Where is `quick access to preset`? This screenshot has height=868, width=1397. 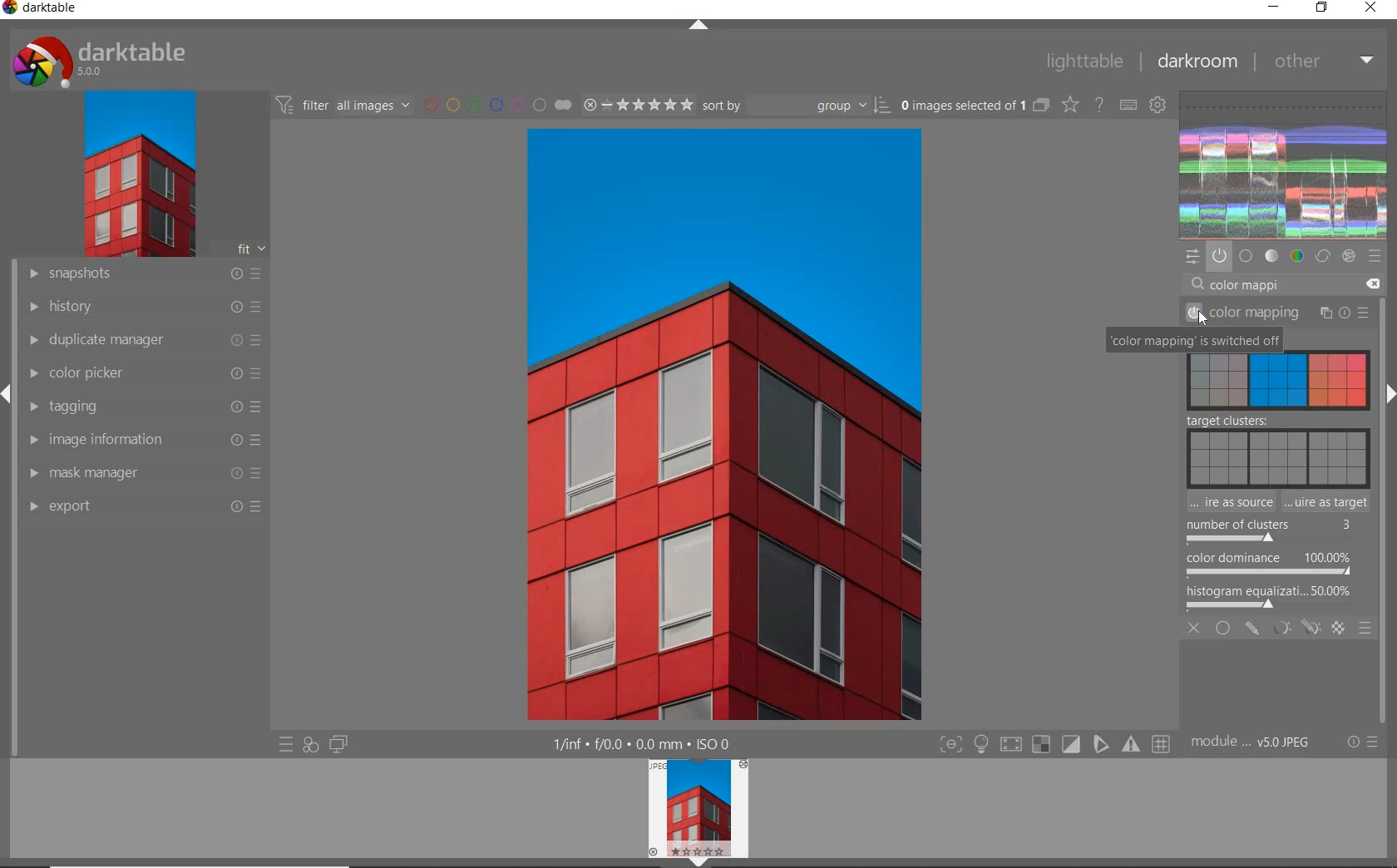
quick access to preset is located at coordinates (286, 745).